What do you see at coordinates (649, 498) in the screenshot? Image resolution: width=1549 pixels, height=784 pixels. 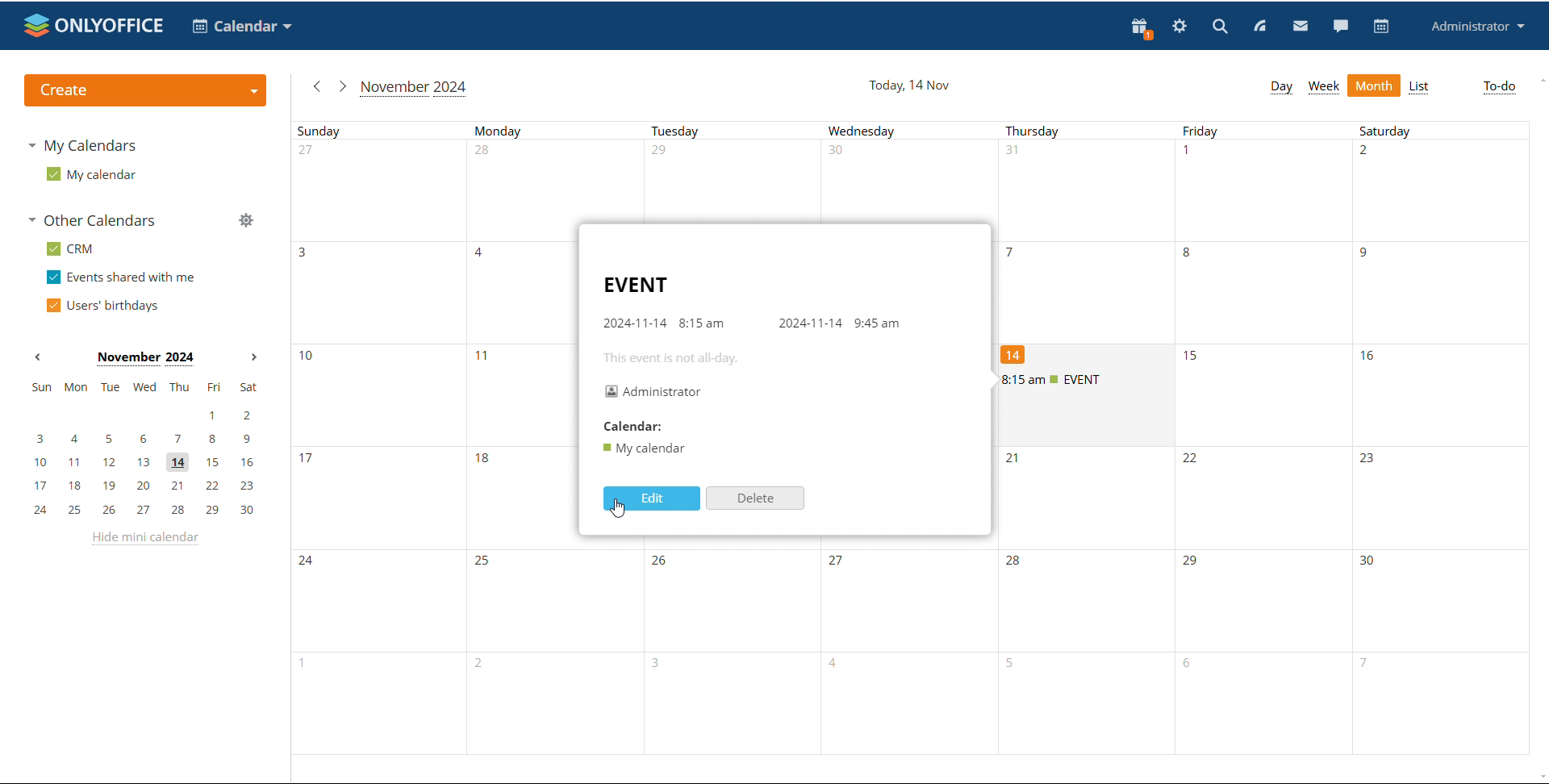 I see `edit` at bounding box center [649, 498].